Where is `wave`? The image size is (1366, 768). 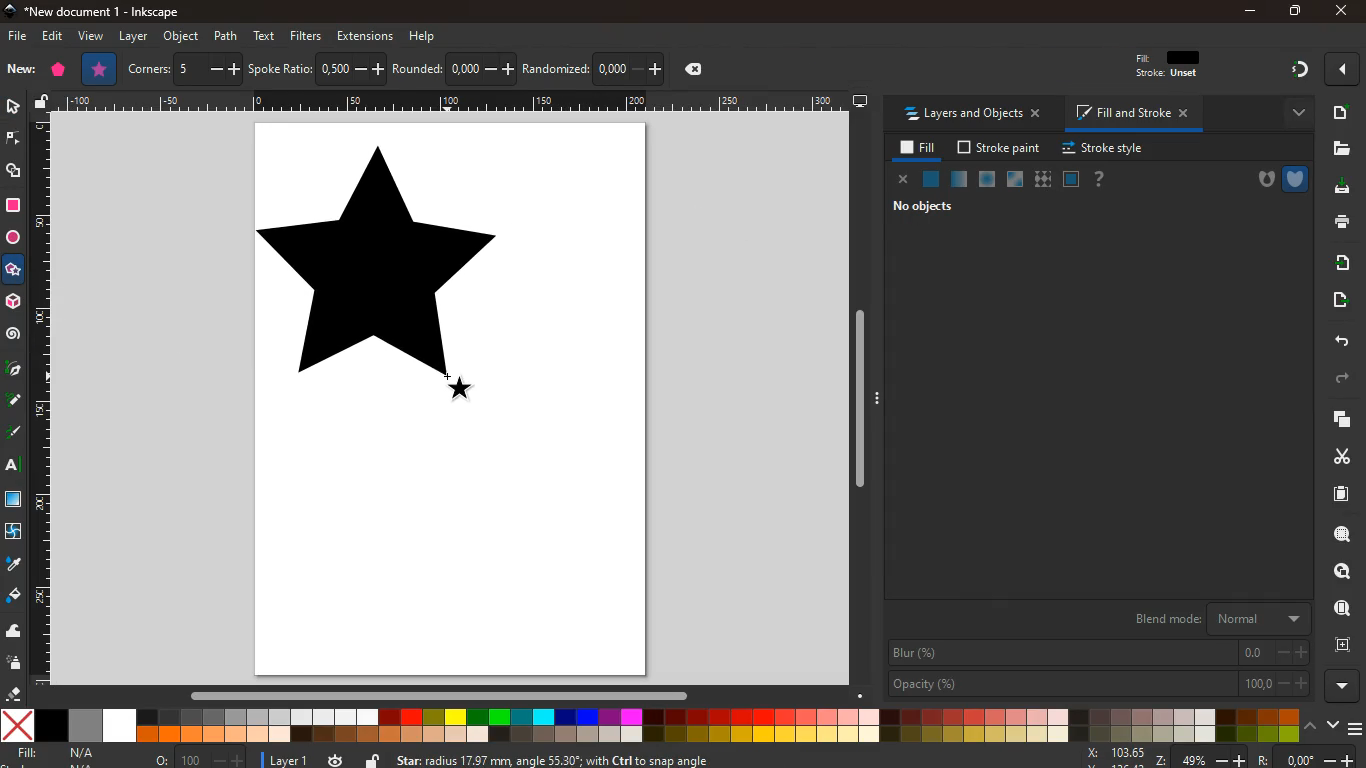 wave is located at coordinates (15, 633).